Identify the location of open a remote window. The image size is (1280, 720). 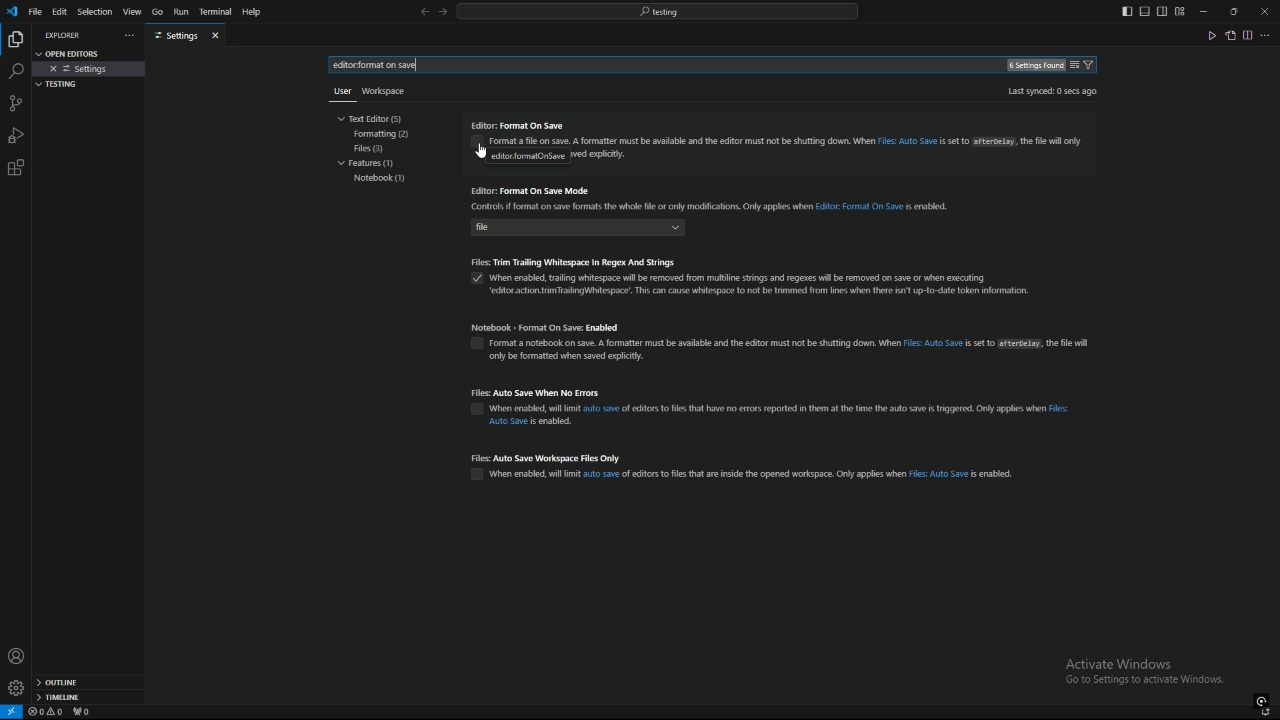
(12, 712).